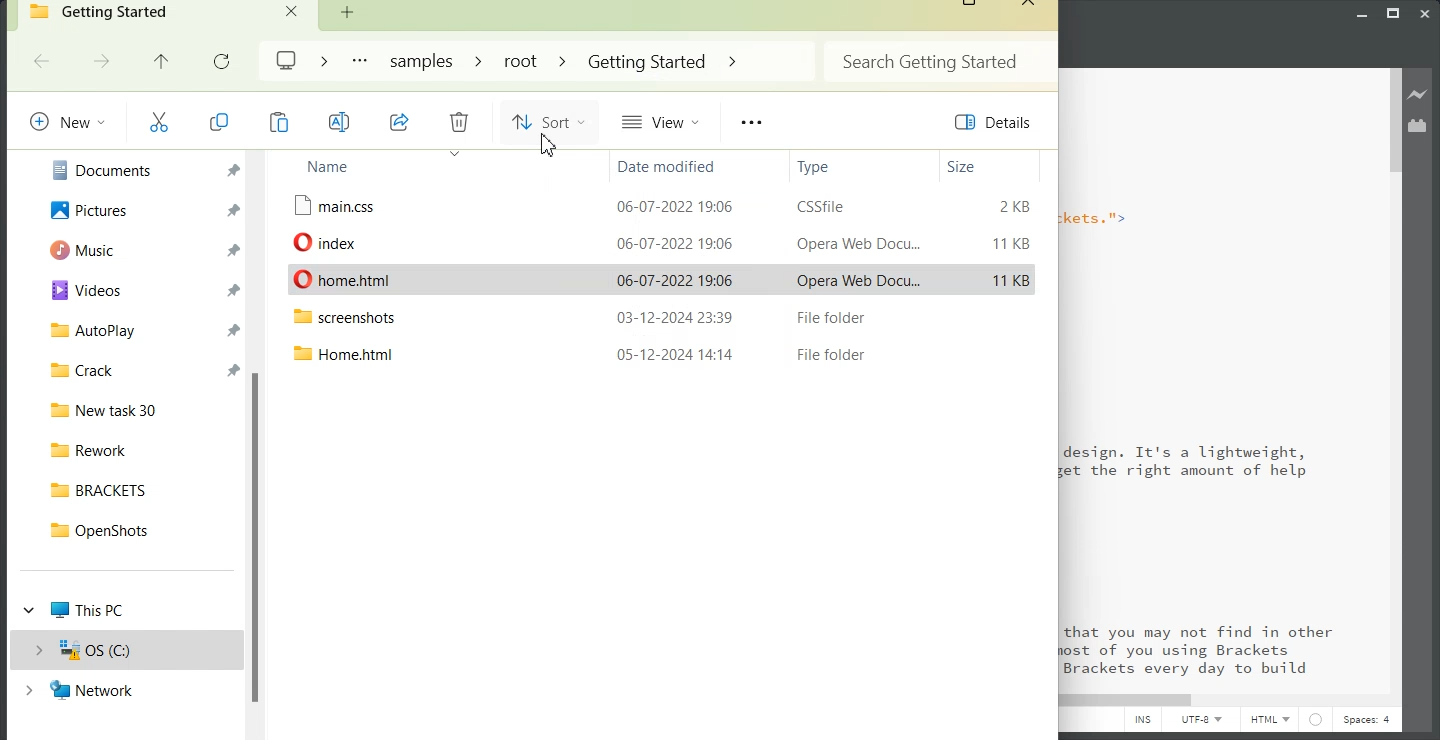  What do you see at coordinates (647, 62) in the screenshot?
I see `Getting Started` at bounding box center [647, 62].